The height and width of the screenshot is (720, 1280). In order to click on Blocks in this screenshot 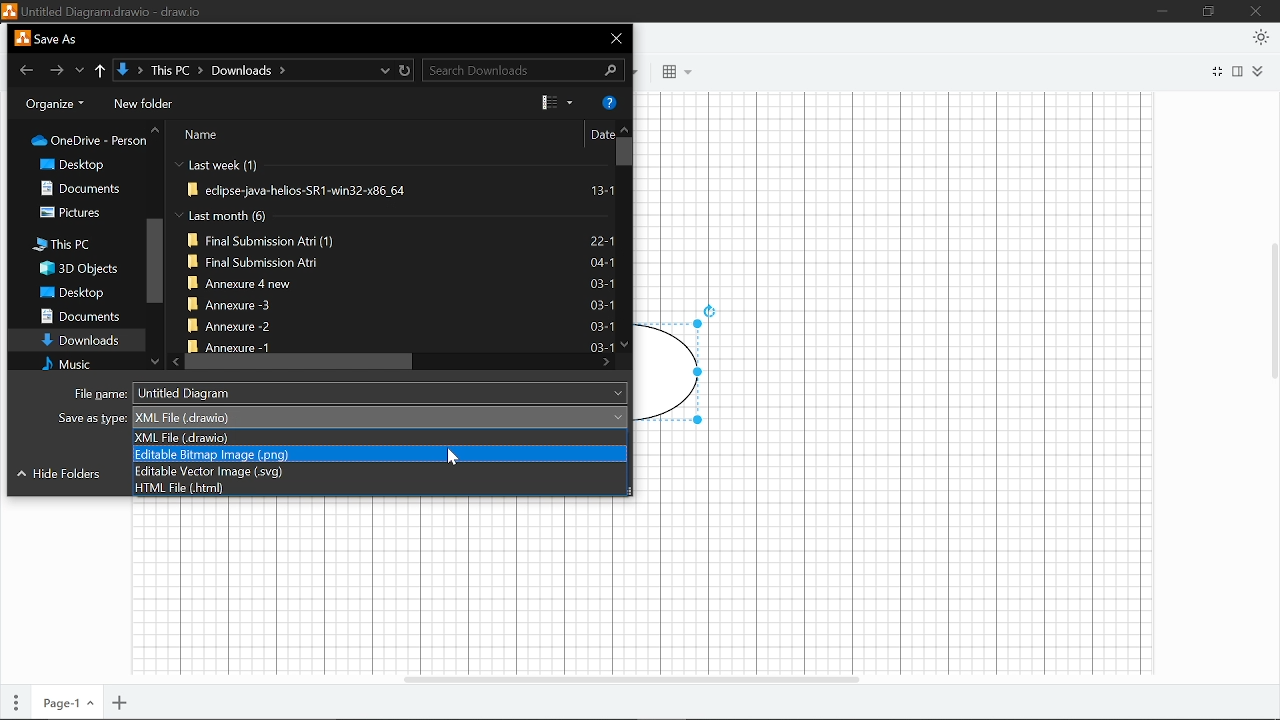, I will do `click(671, 73)`.